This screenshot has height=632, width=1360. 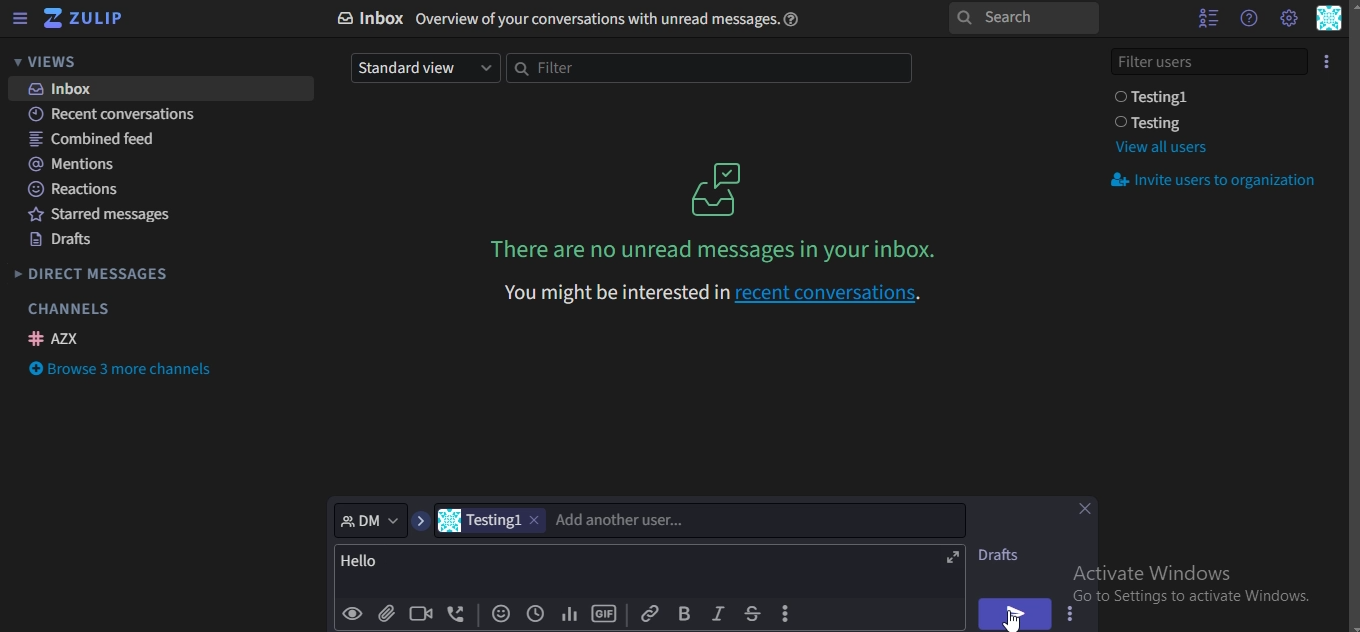 What do you see at coordinates (1211, 59) in the screenshot?
I see `filter users` at bounding box center [1211, 59].